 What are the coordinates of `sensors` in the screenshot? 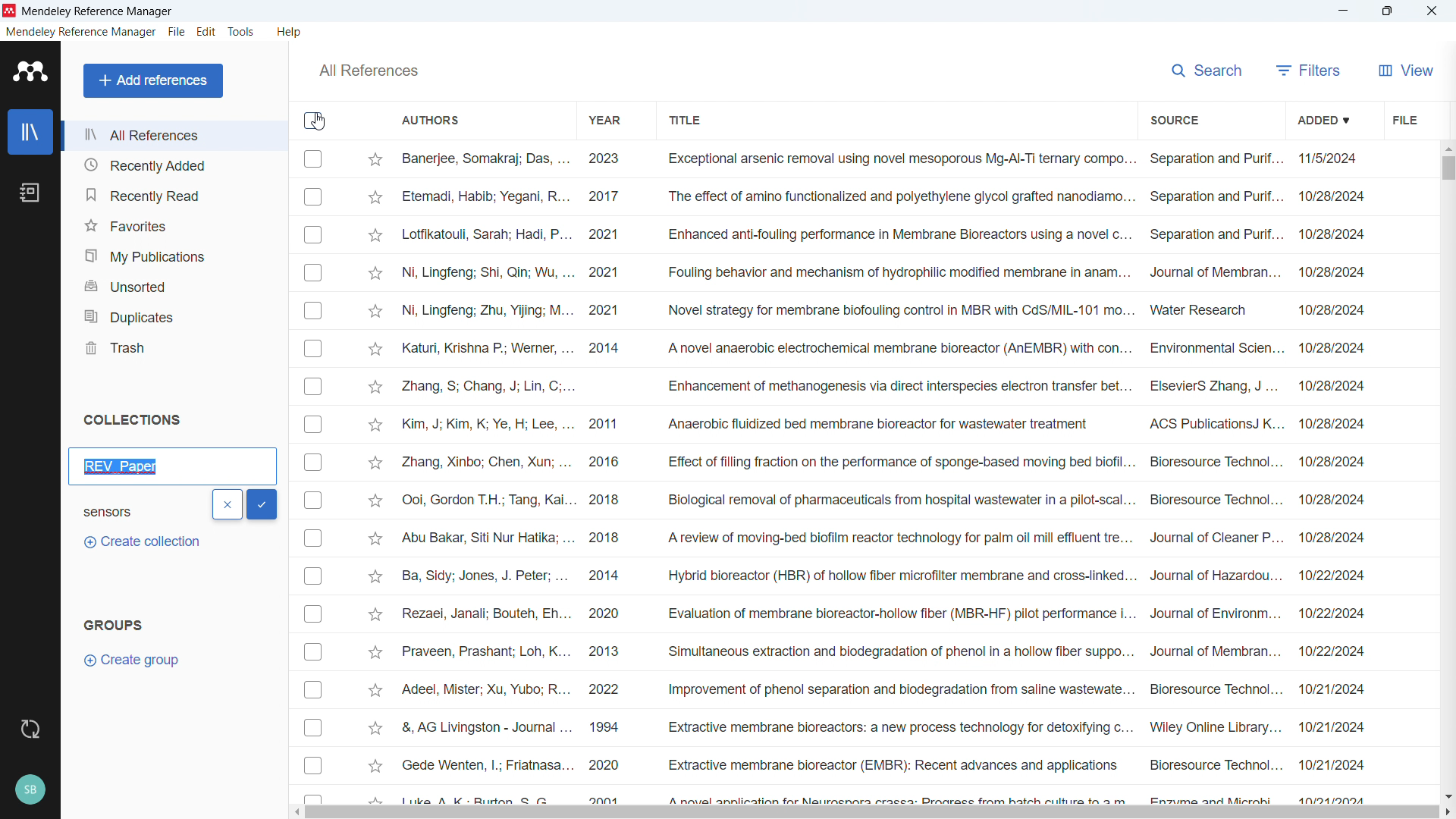 It's located at (122, 510).